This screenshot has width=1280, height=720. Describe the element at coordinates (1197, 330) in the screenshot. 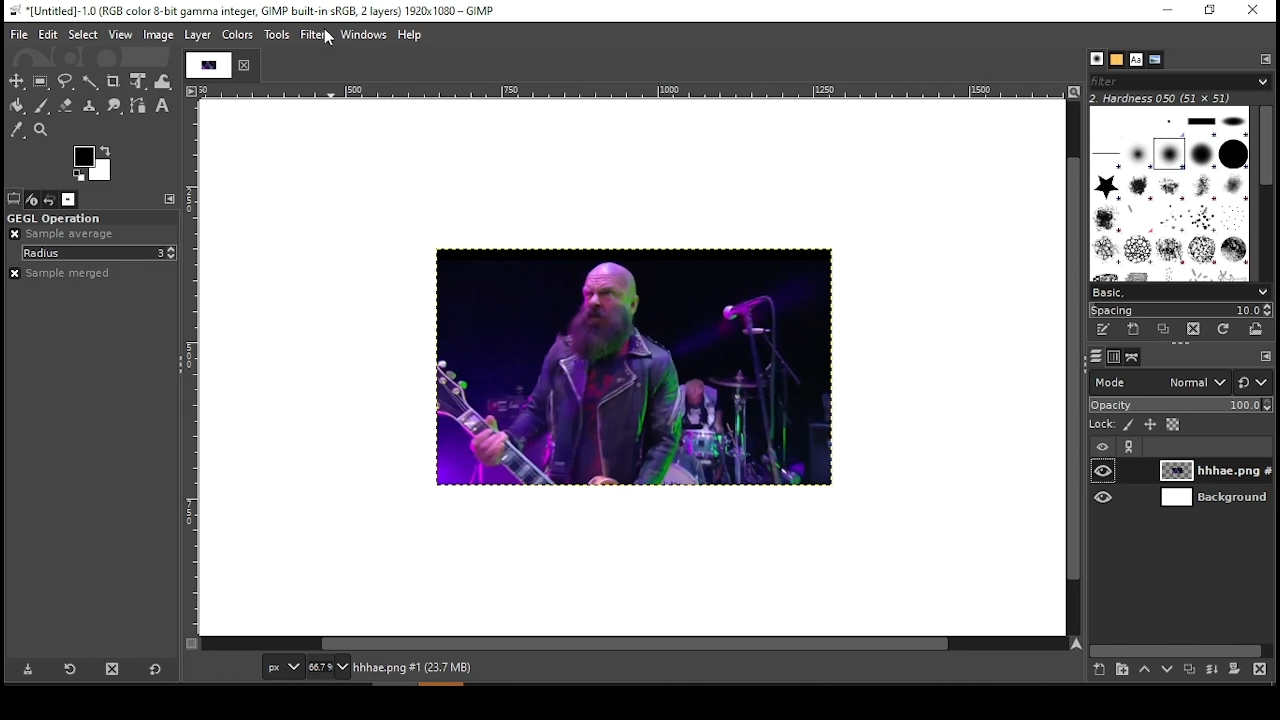

I see `delete brush` at that location.